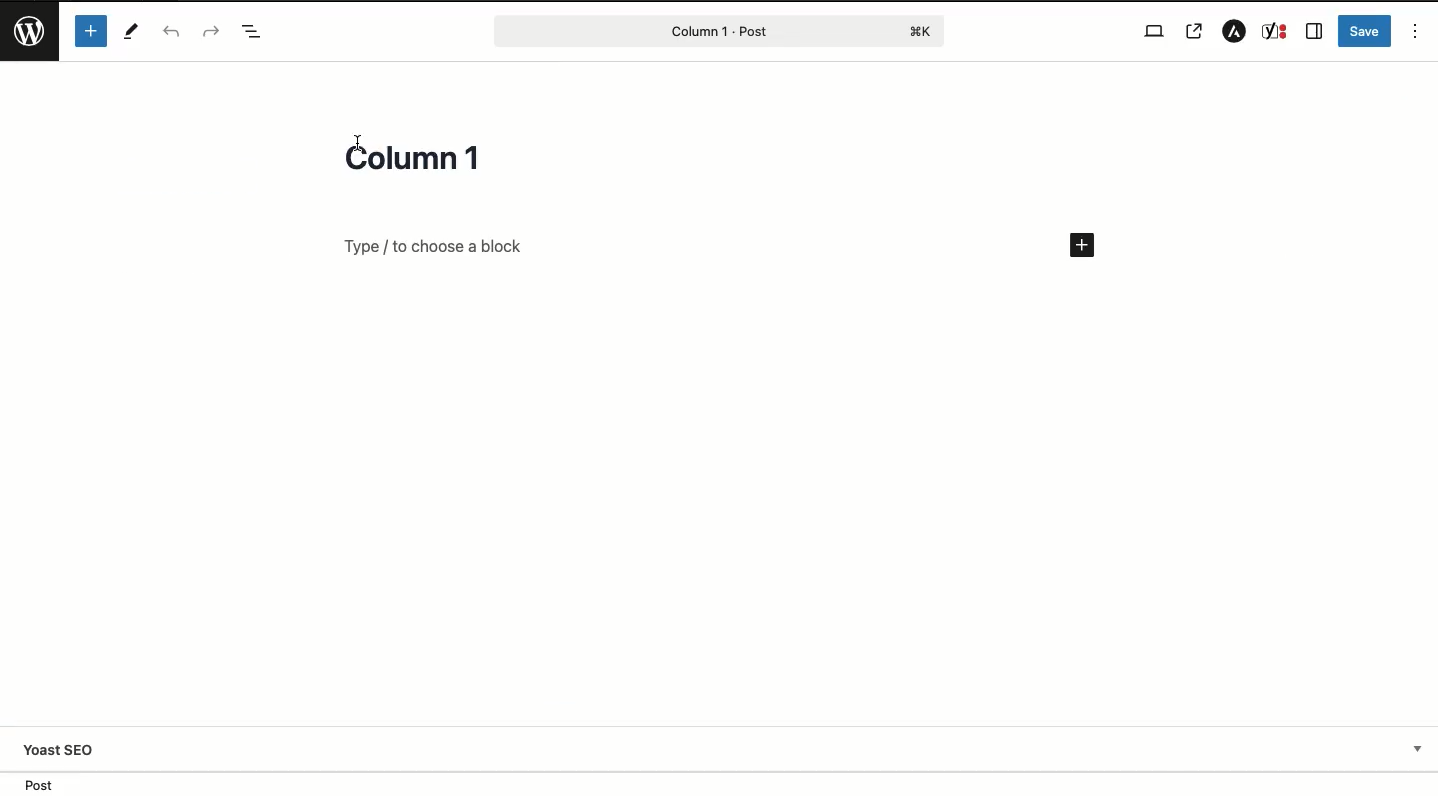 The image size is (1438, 796). Describe the element at coordinates (1151, 30) in the screenshot. I see `View` at that location.